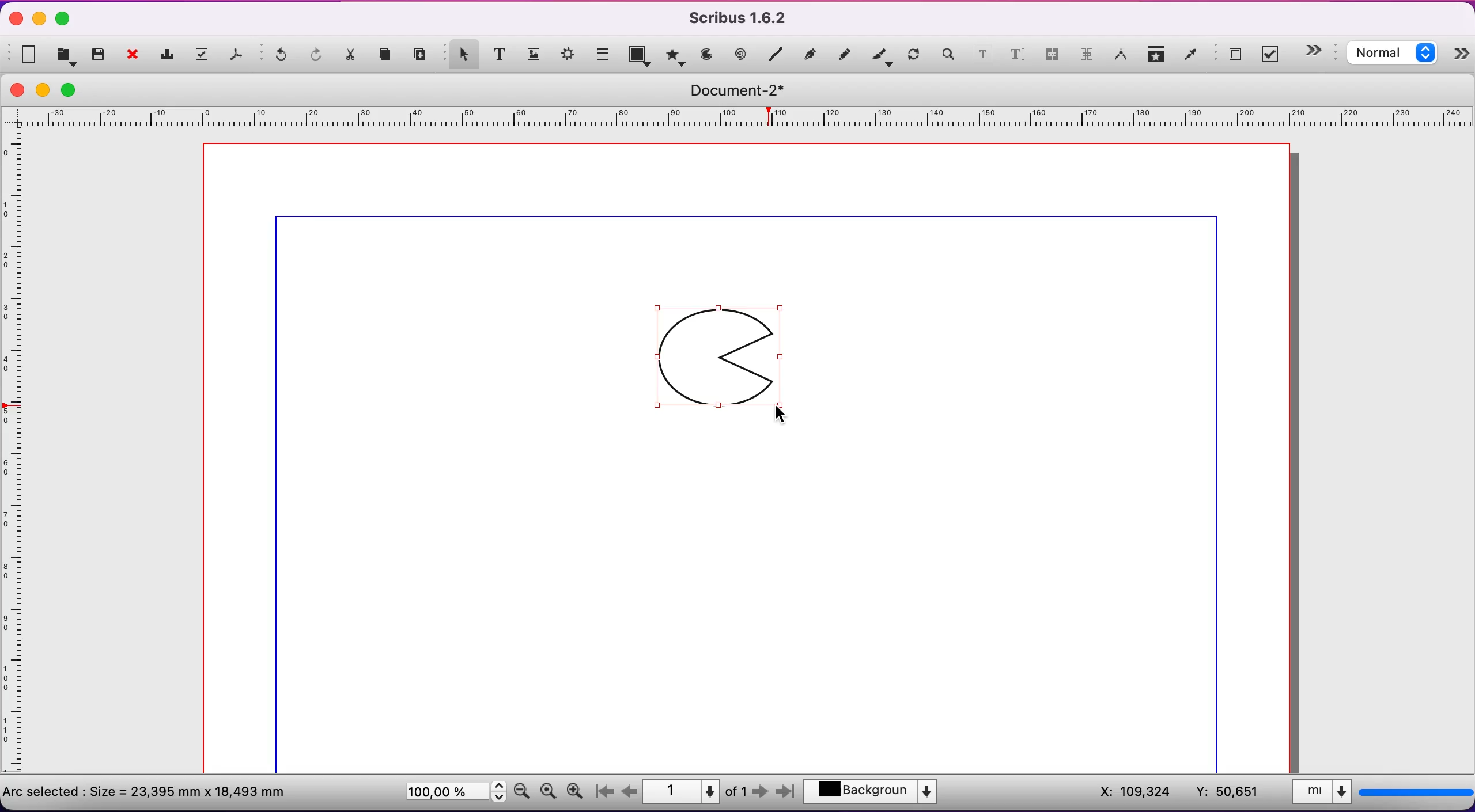 The width and height of the screenshot is (1475, 812). What do you see at coordinates (1462, 56) in the screenshot?
I see `hide/show panel` at bounding box center [1462, 56].